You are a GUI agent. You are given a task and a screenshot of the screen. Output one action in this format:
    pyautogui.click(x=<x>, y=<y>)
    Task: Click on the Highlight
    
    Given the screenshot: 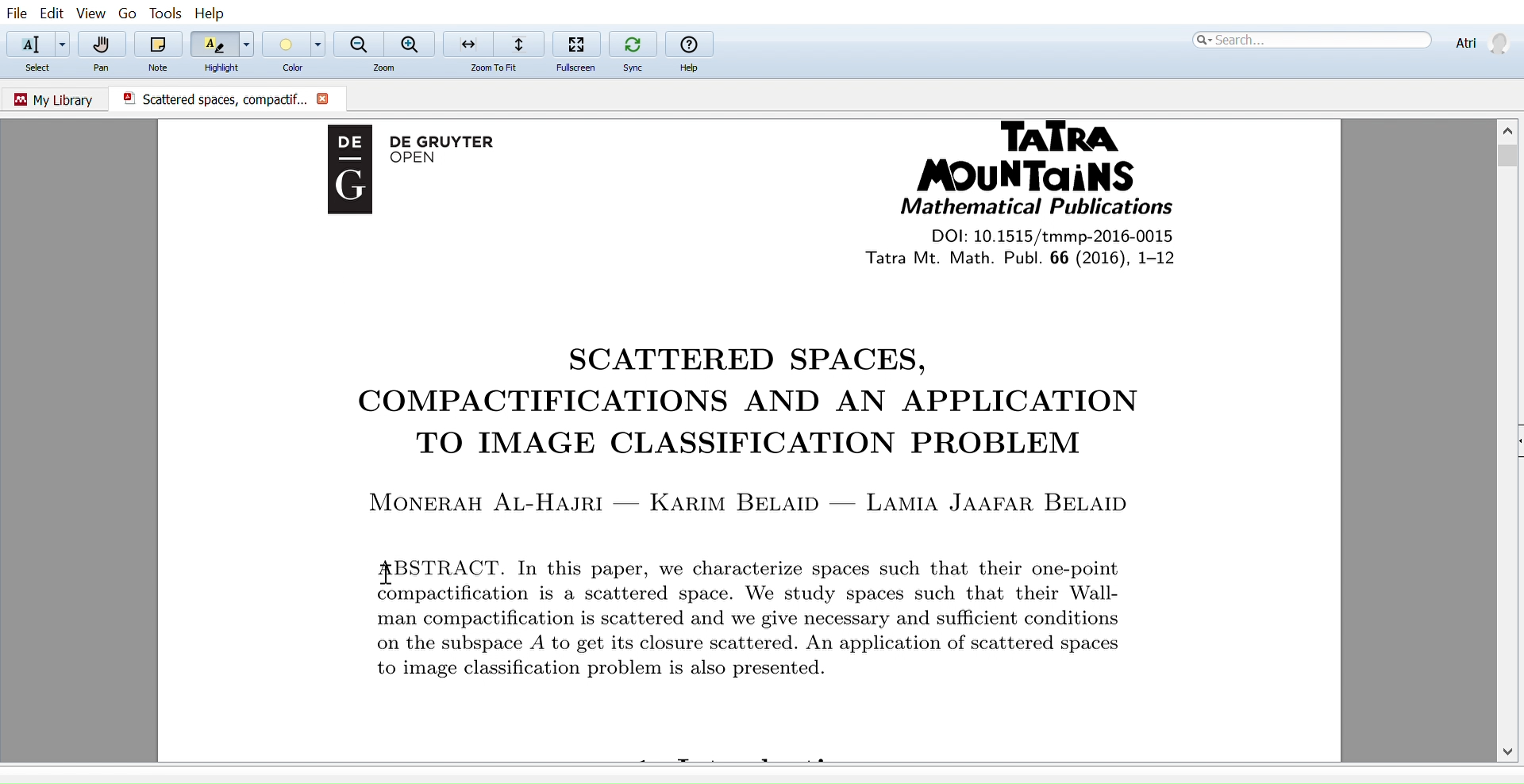 What is the action you would take?
    pyautogui.click(x=222, y=67)
    